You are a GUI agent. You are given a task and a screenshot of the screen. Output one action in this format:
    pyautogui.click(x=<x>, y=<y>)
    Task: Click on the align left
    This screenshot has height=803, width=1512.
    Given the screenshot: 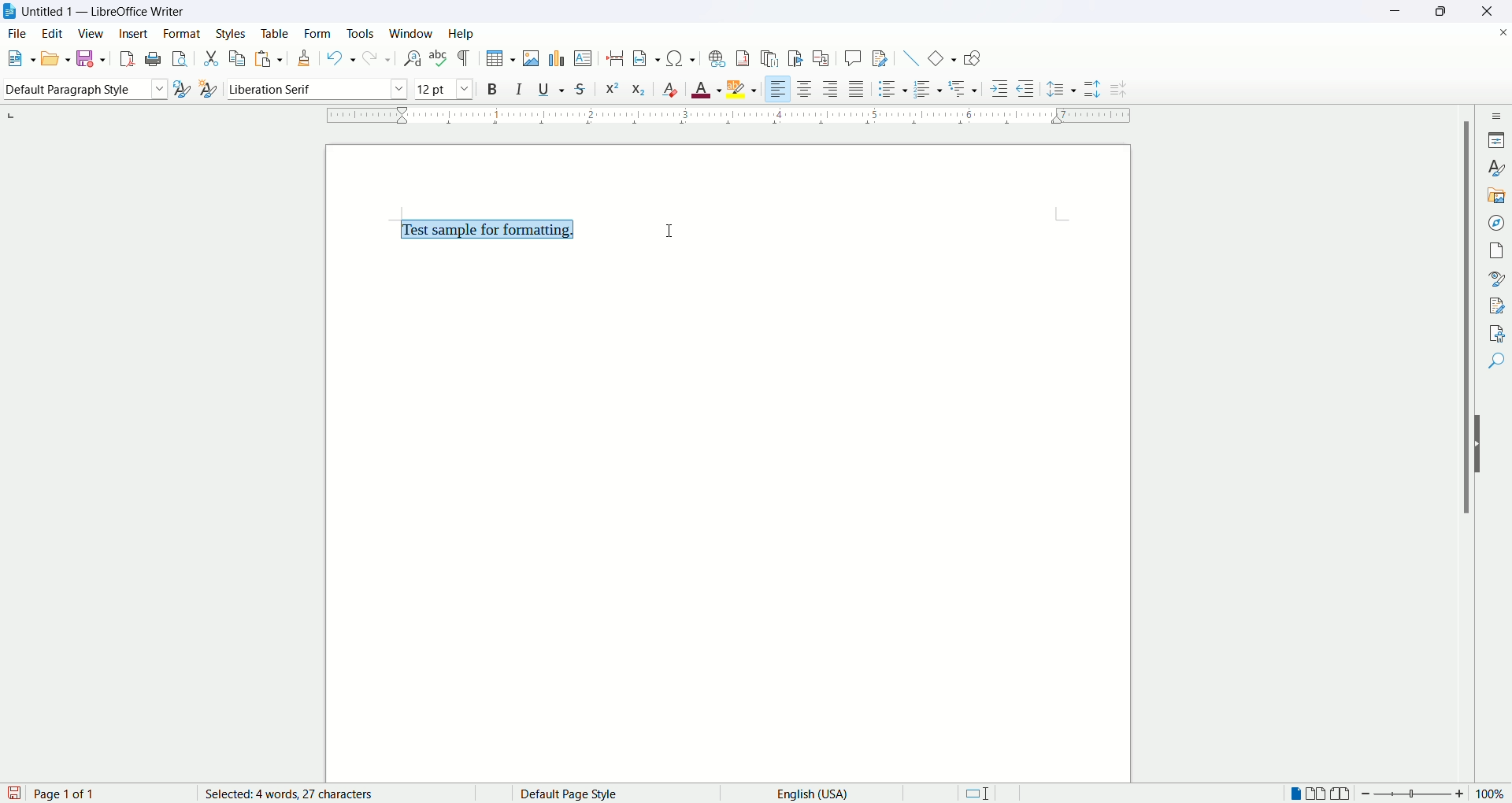 What is the action you would take?
    pyautogui.click(x=779, y=88)
    